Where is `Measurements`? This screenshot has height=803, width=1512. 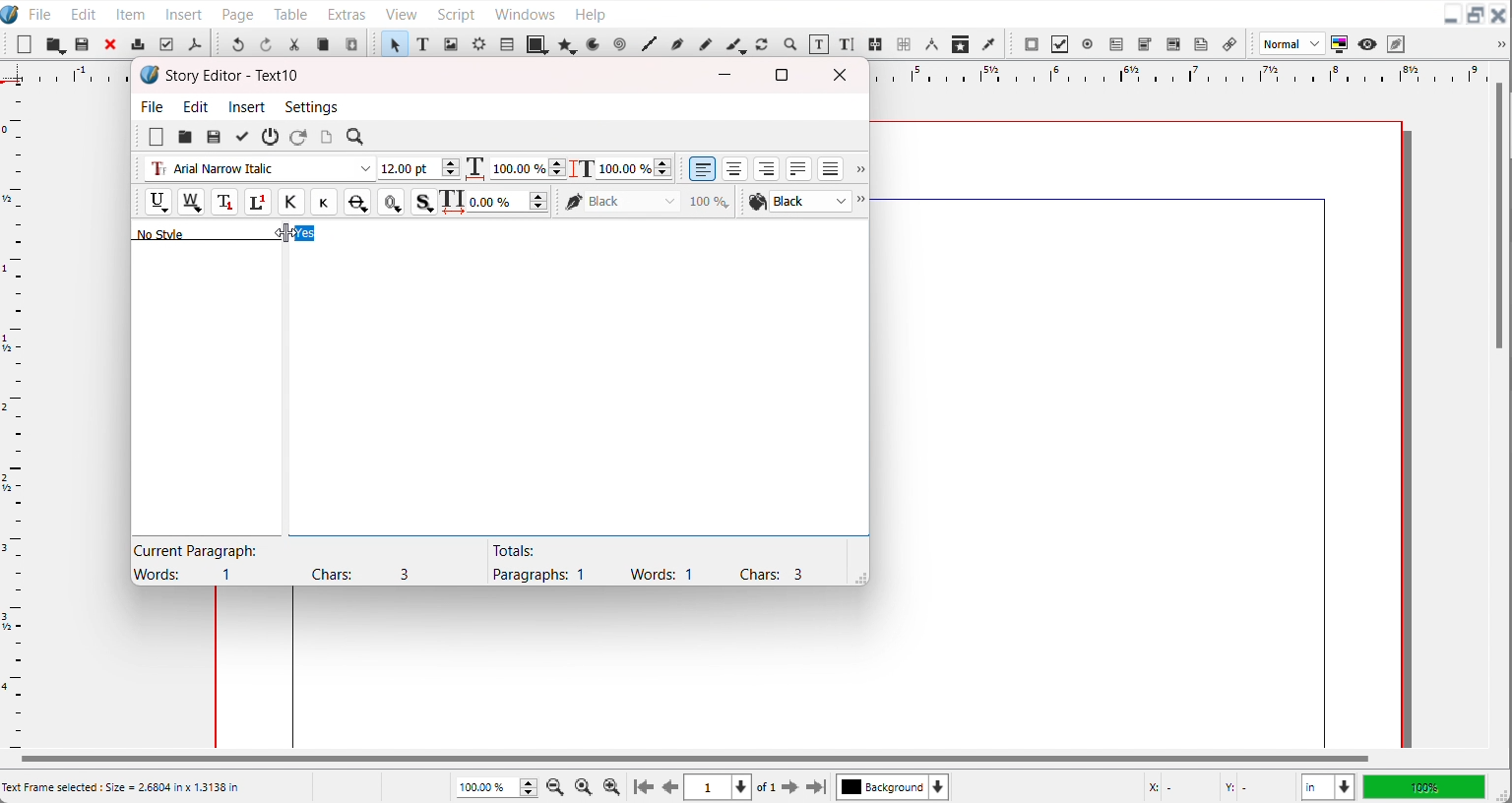
Measurements is located at coordinates (931, 44).